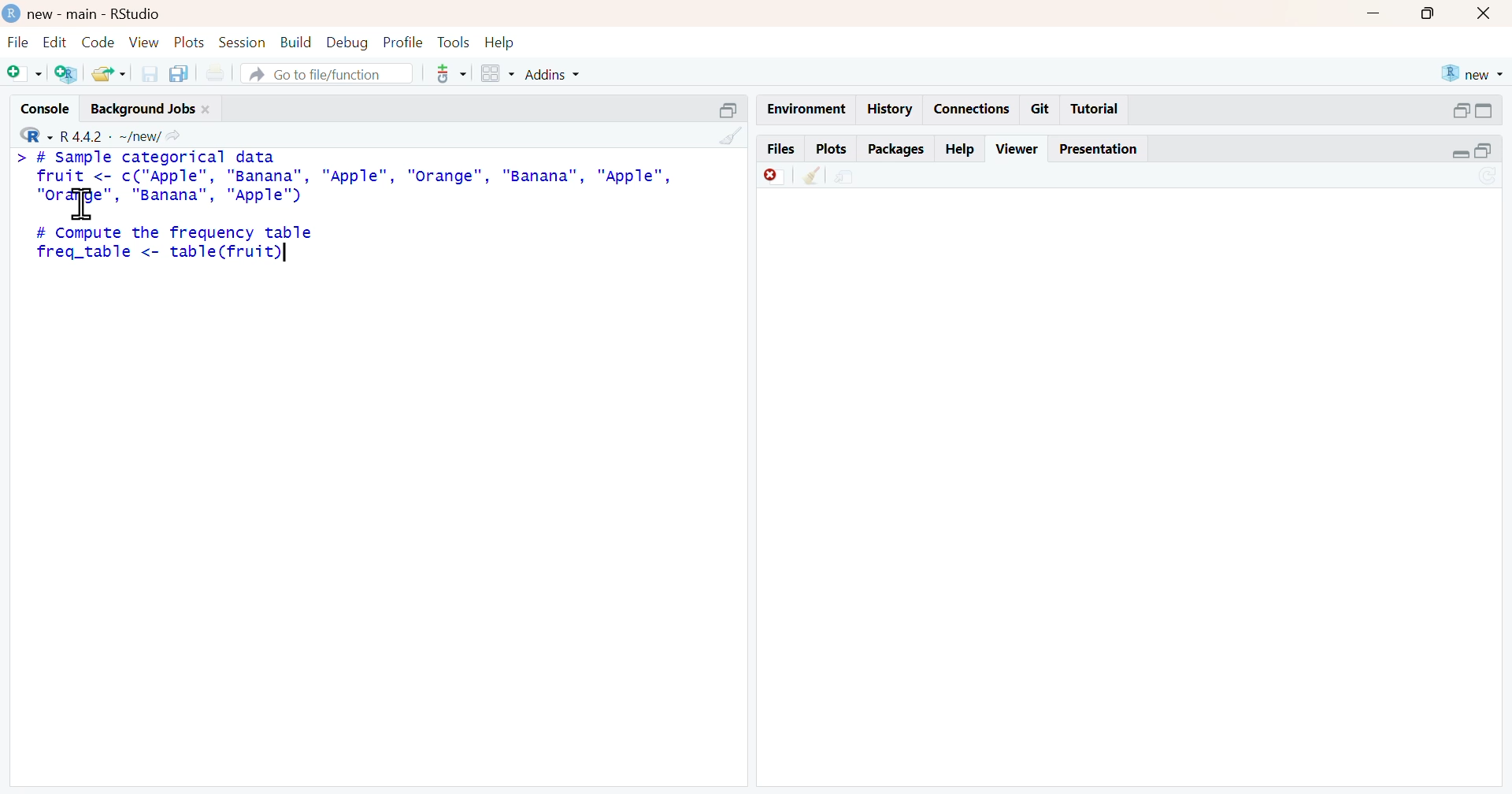  What do you see at coordinates (24, 74) in the screenshot?
I see `new script` at bounding box center [24, 74].